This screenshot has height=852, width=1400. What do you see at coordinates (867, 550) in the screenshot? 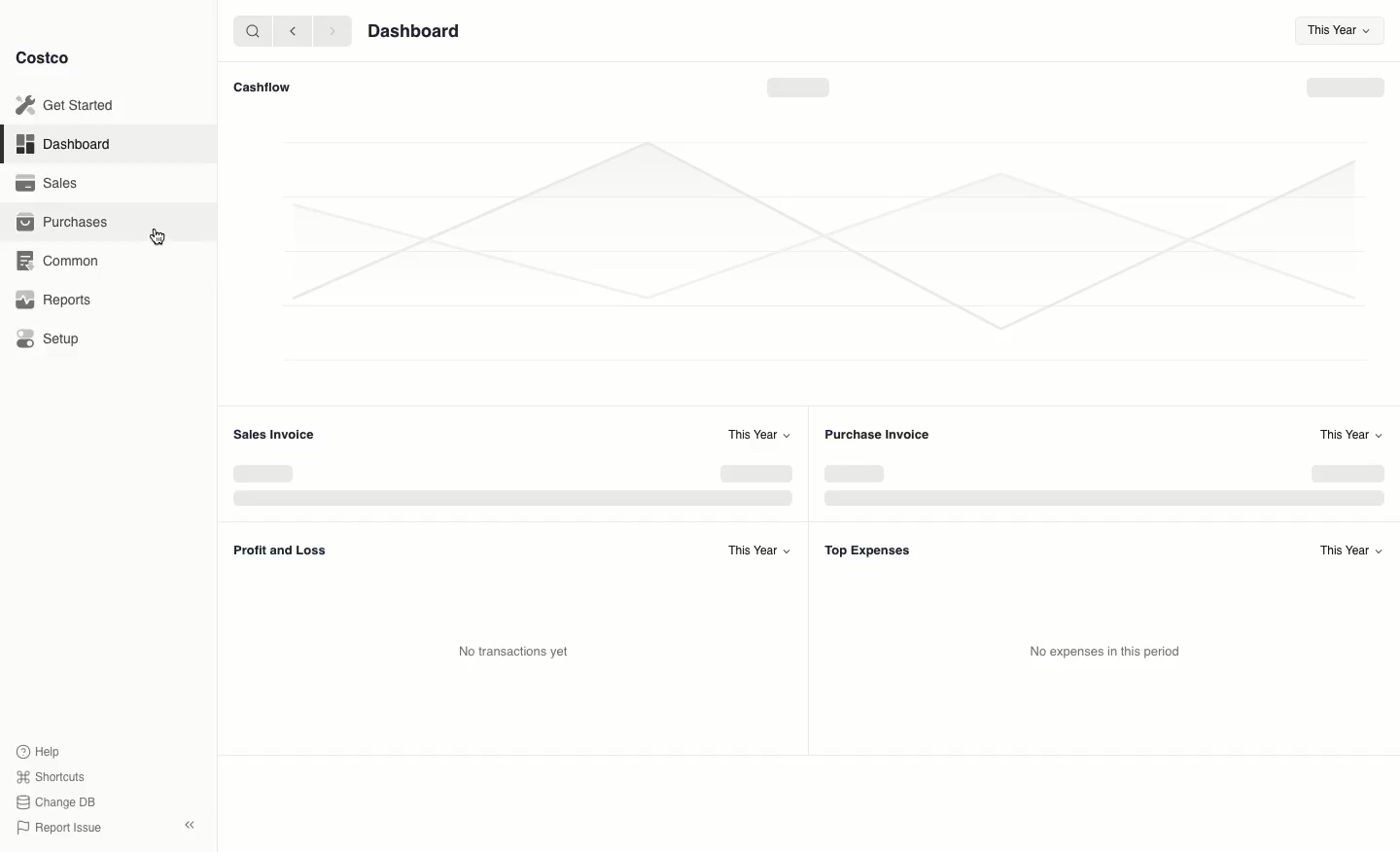
I see `Top Expenses` at bounding box center [867, 550].